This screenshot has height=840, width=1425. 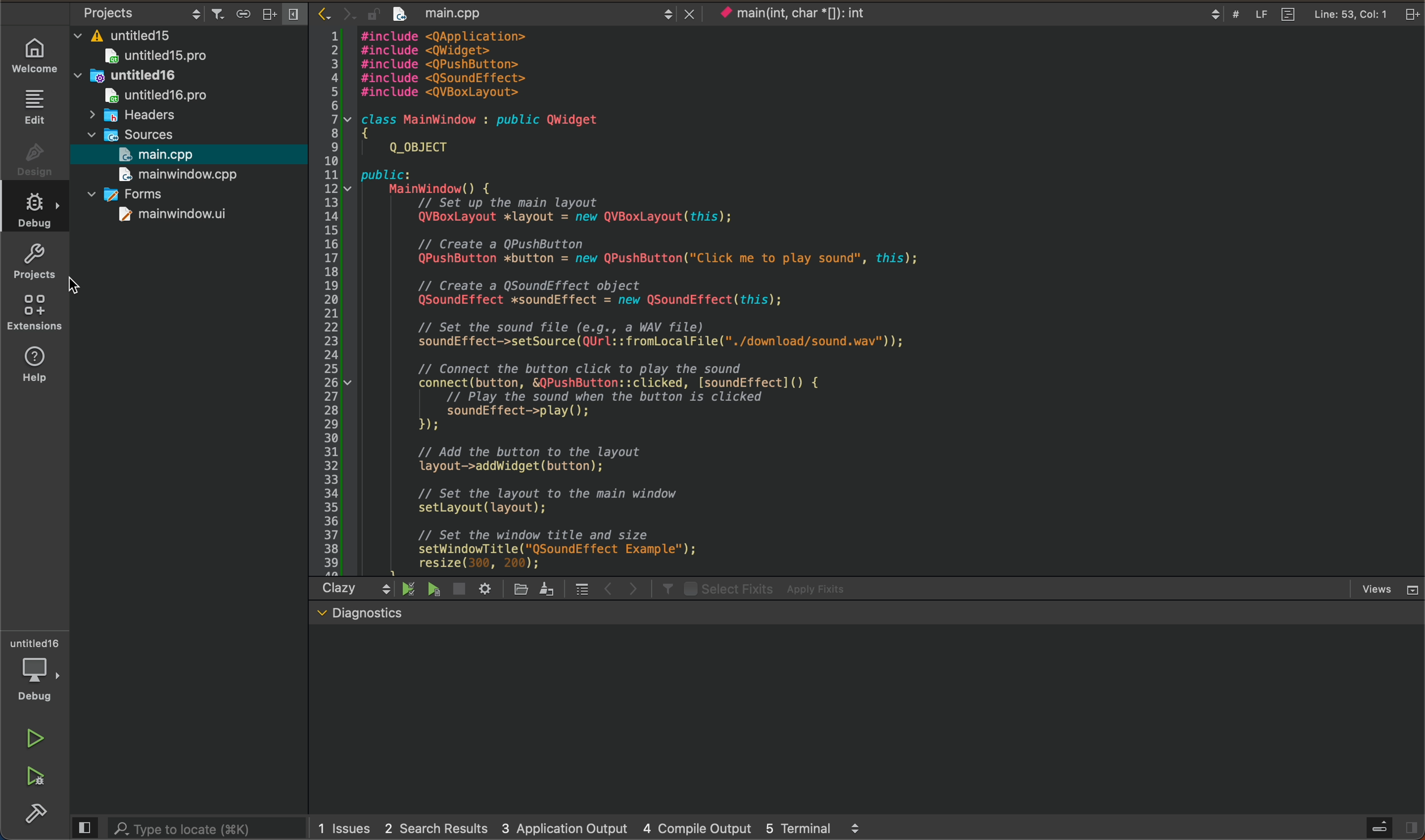 I want to click on numbers, so click(x=331, y=299).